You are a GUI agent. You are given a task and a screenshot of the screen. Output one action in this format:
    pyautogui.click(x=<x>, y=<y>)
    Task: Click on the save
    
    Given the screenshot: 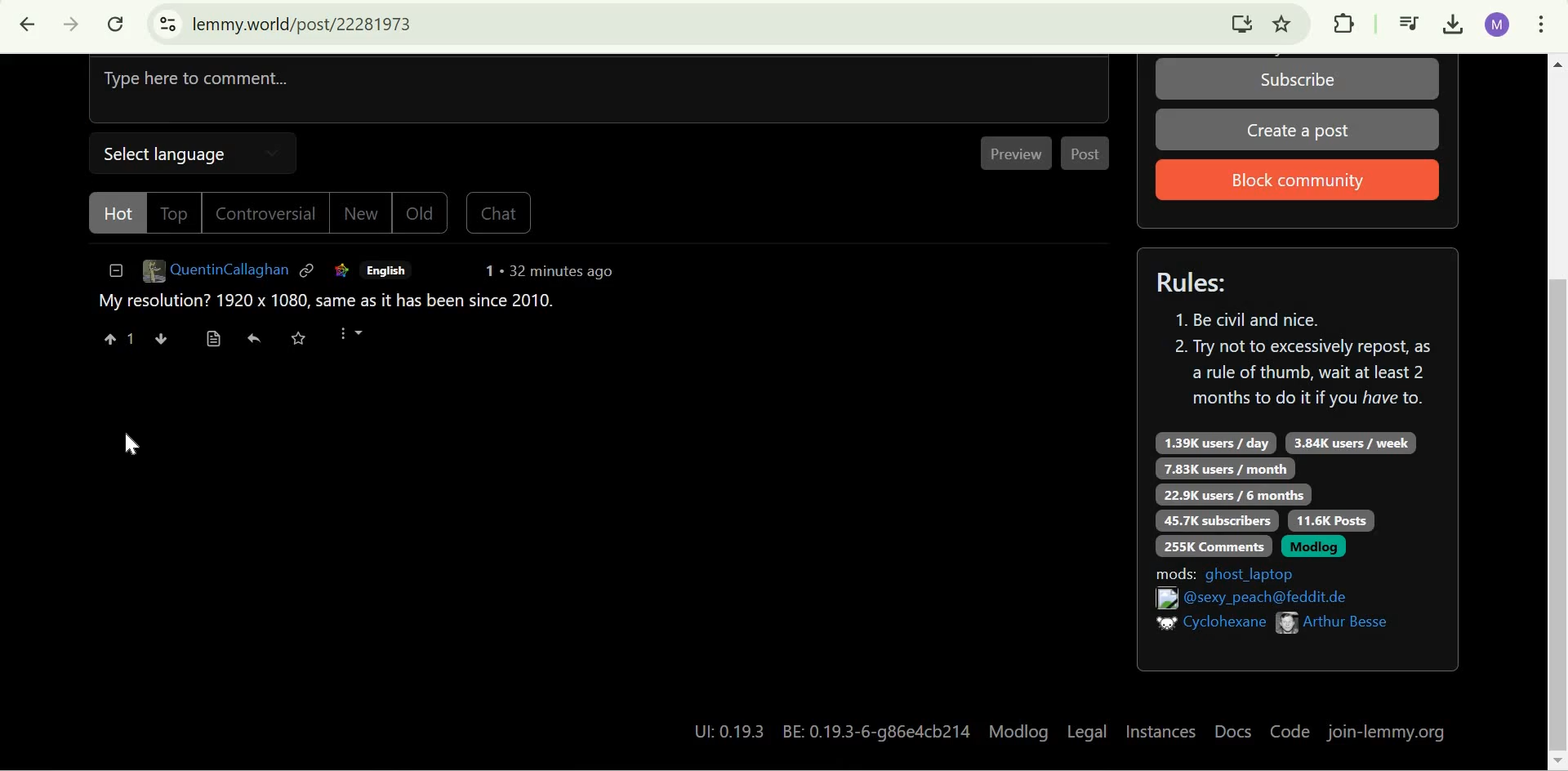 What is the action you would take?
    pyautogui.click(x=303, y=344)
    